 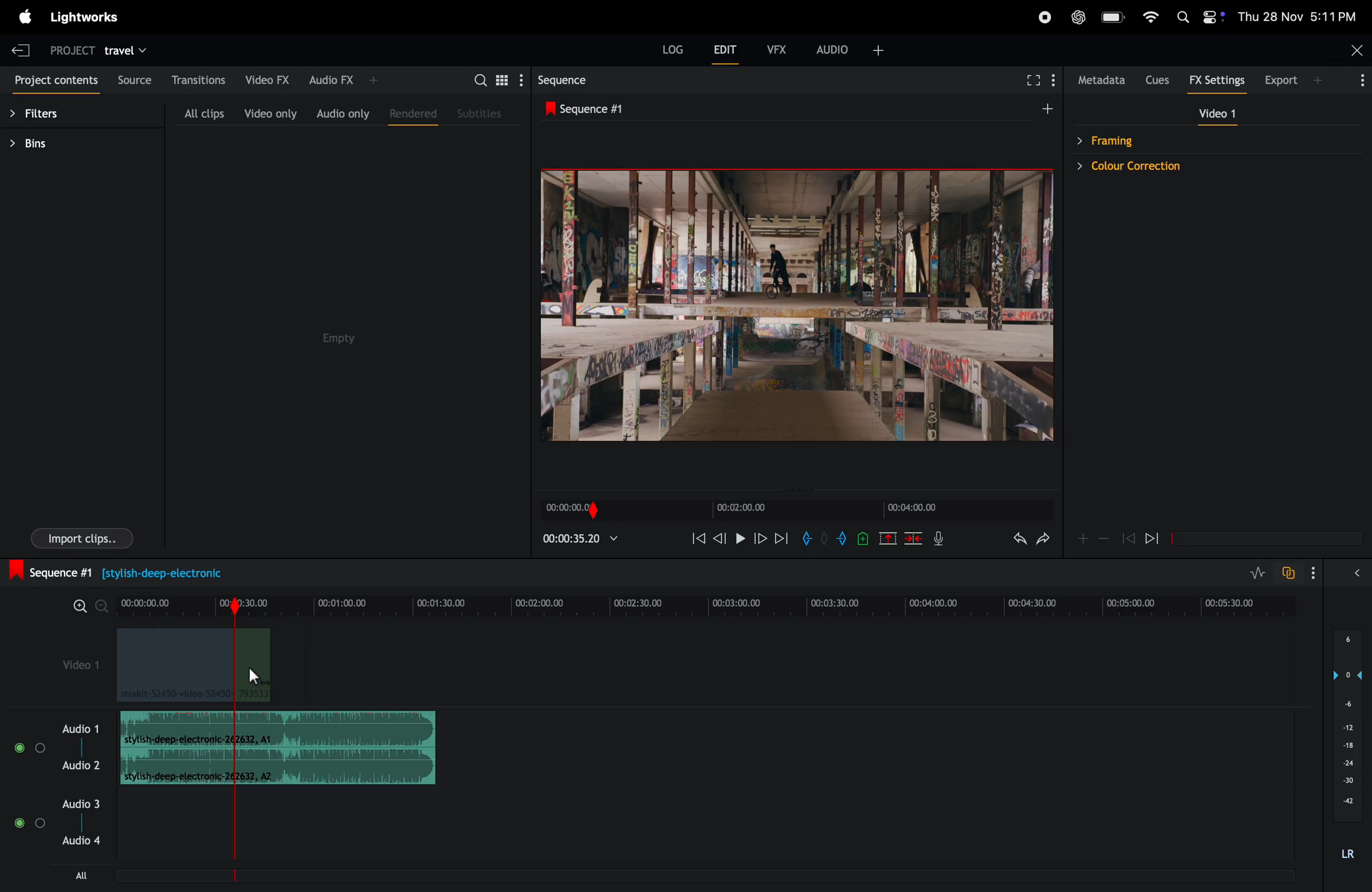 I want to click on project, so click(x=67, y=52).